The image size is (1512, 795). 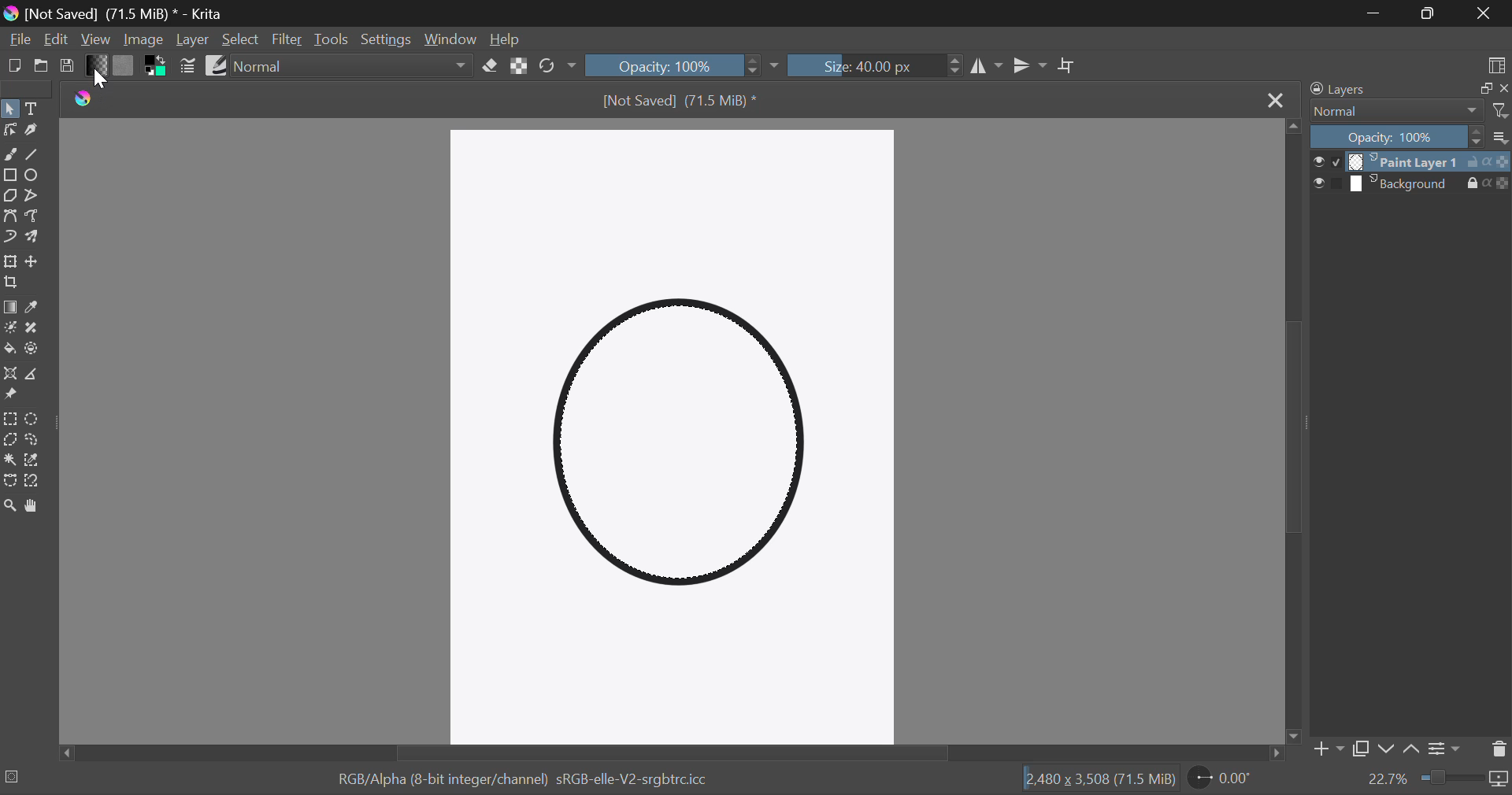 What do you see at coordinates (34, 238) in the screenshot?
I see `Multibrush` at bounding box center [34, 238].